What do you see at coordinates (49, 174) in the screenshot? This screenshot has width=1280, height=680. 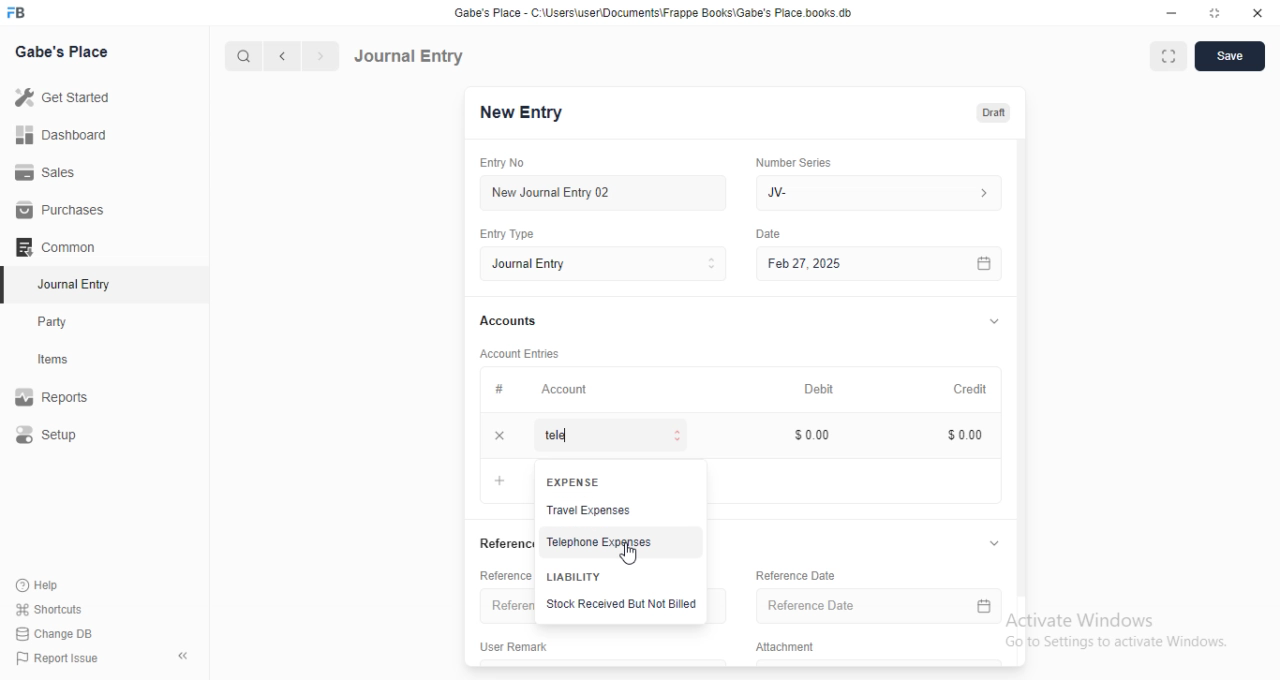 I see `Sales` at bounding box center [49, 174].